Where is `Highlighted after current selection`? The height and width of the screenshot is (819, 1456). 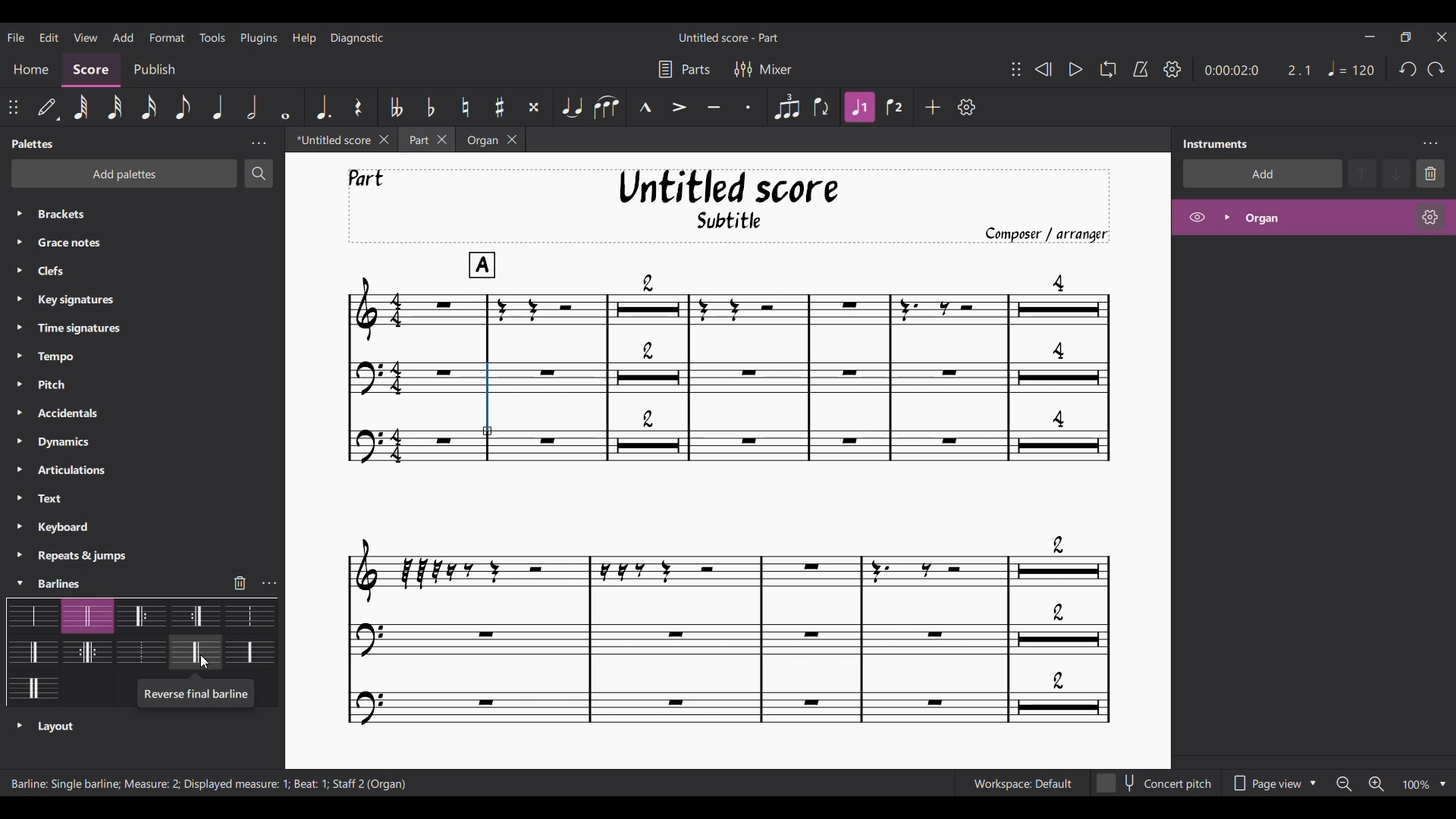
Highlighted after current selection is located at coordinates (1313, 217).